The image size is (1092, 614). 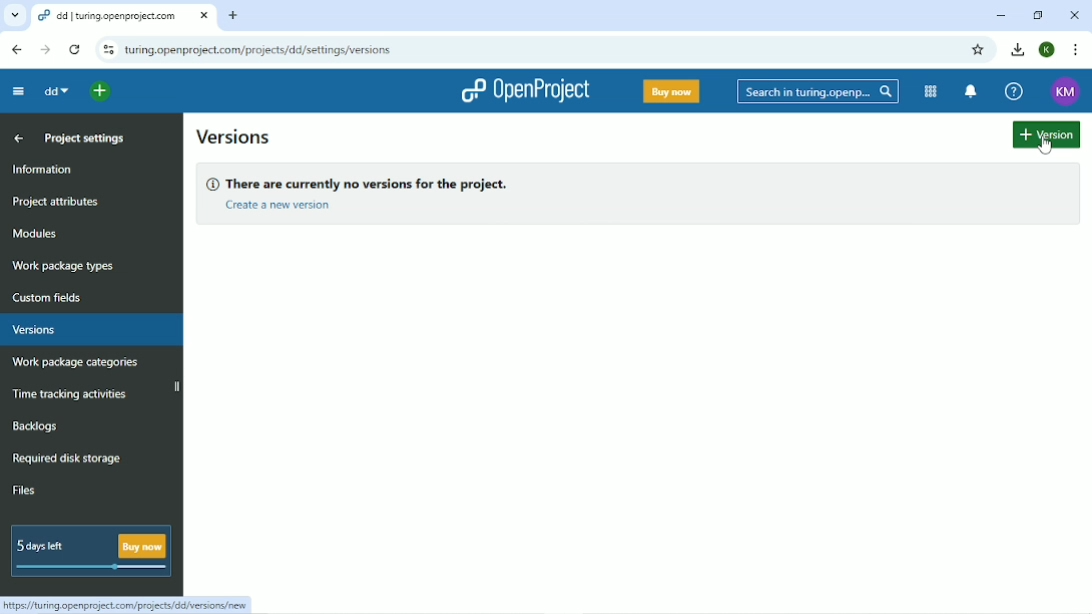 What do you see at coordinates (99, 92) in the screenshot?
I see `Select a project` at bounding box center [99, 92].